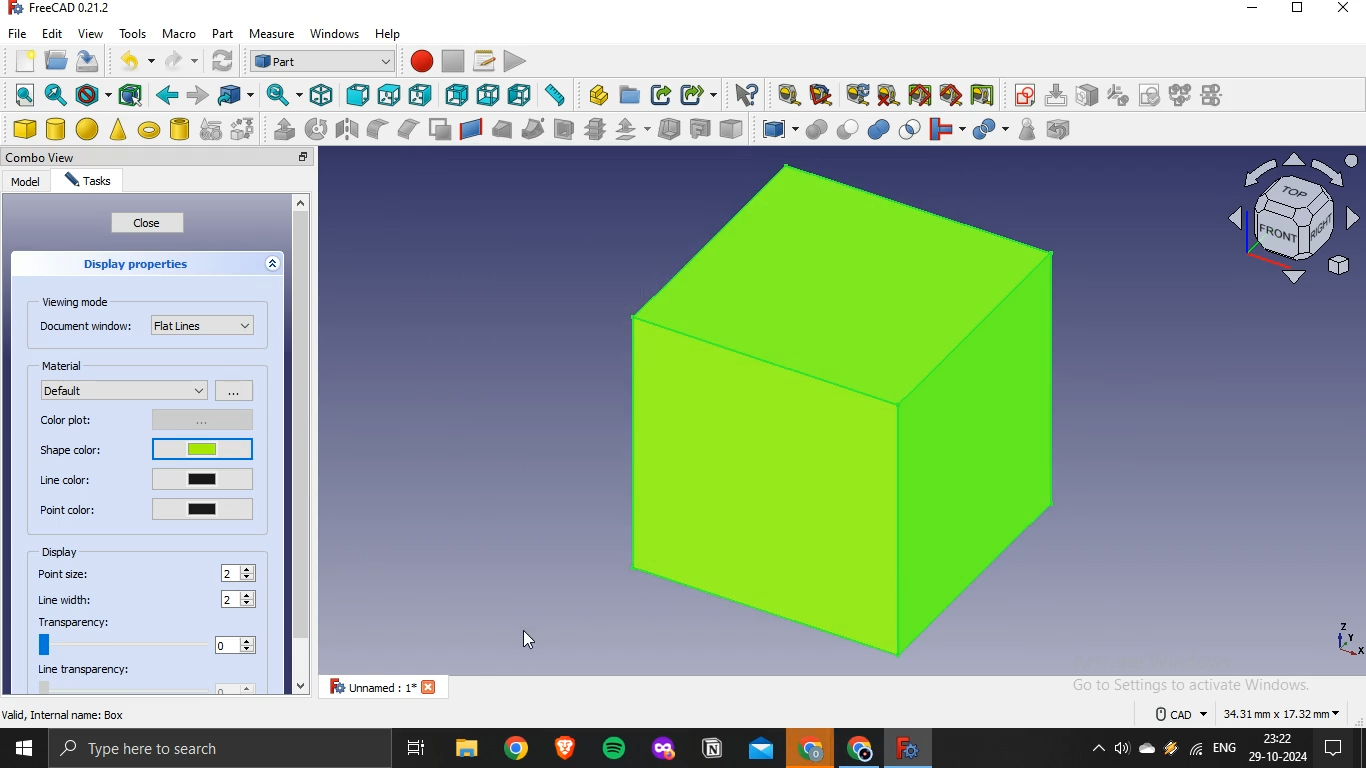 The width and height of the screenshot is (1366, 768). Describe the element at coordinates (789, 96) in the screenshot. I see `measure linear` at that location.